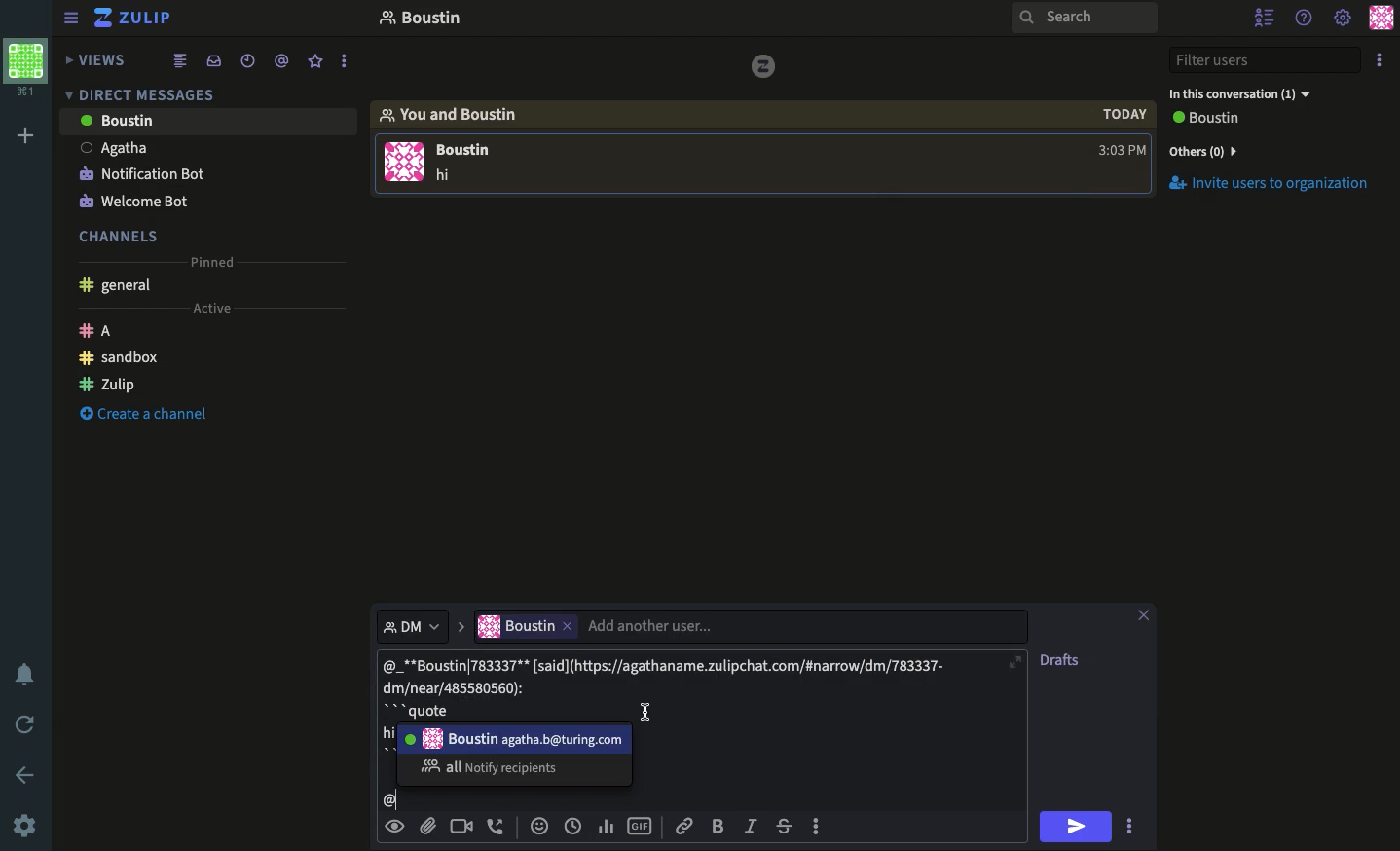  What do you see at coordinates (641, 827) in the screenshot?
I see `Gif` at bounding box center [641, 827].